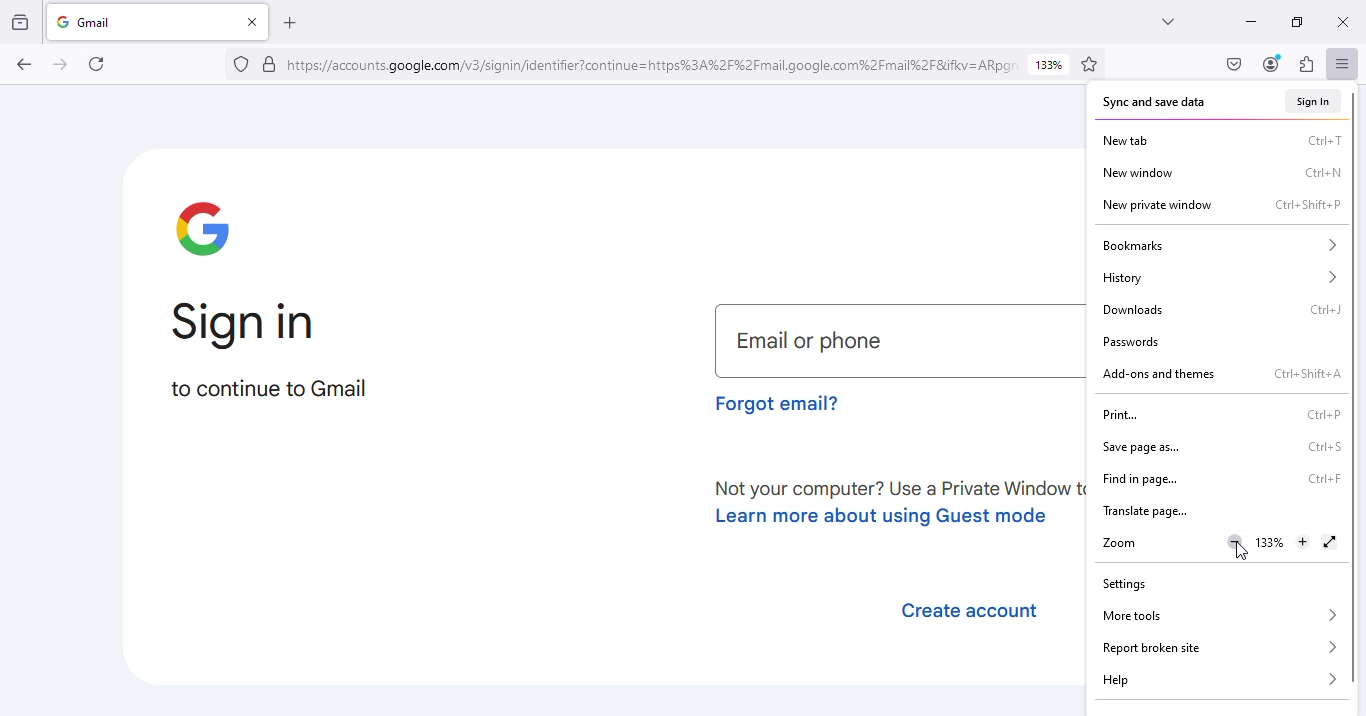  Describe the element at coordinates (1124, 415) in the screenshot. I see `print` at that location.